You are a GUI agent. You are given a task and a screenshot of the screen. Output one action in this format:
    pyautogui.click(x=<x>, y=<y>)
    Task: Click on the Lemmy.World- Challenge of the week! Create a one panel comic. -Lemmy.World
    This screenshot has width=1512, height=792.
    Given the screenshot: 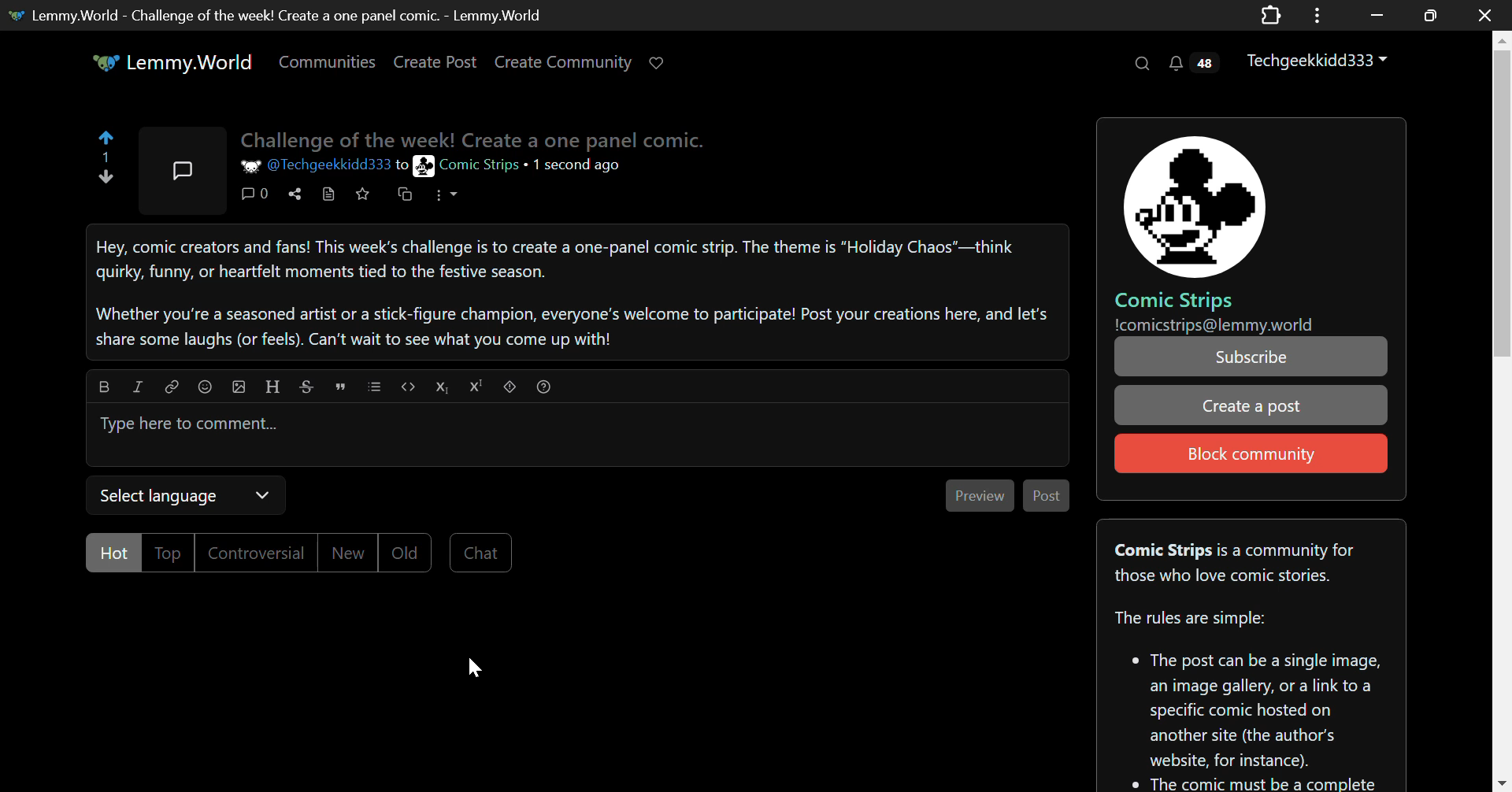 What is the action you would take?
    pyautogui.click(x=275, y=15)
    